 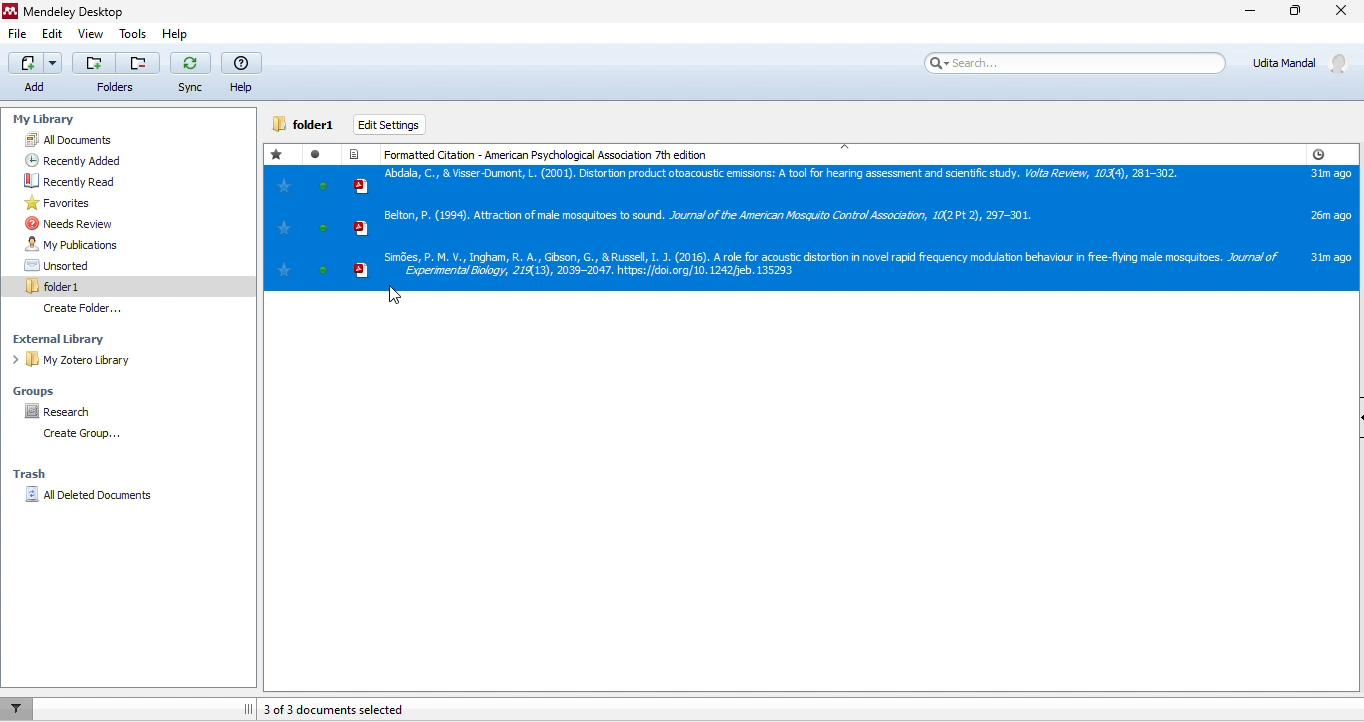 What do you see at coordinates (33, 472) in the screenshot?
I see `trash` at bounding box center [33, 472].